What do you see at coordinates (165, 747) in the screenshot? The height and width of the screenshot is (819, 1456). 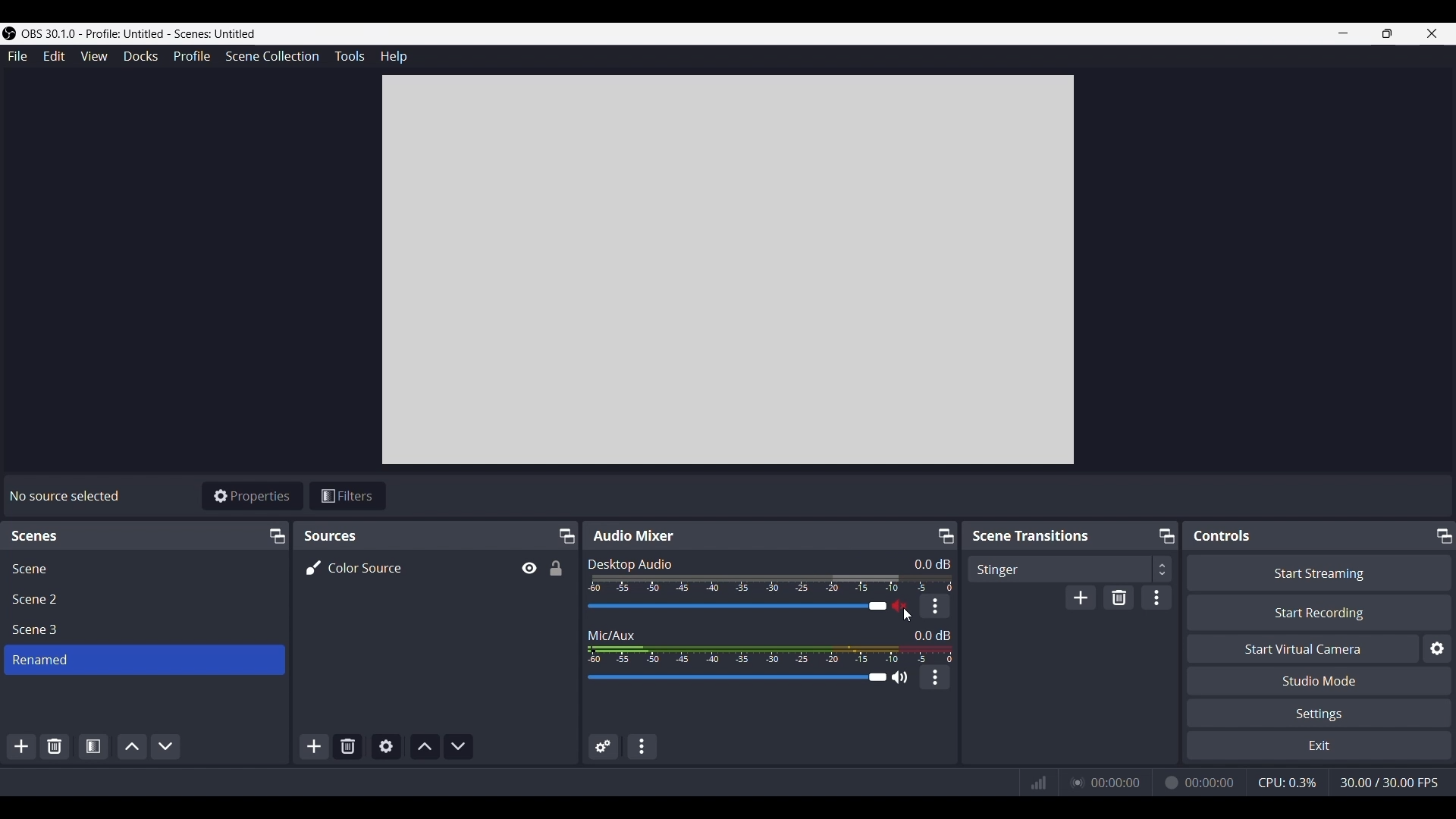 I see `Move scene one step down` at bounding box center [165, 747].